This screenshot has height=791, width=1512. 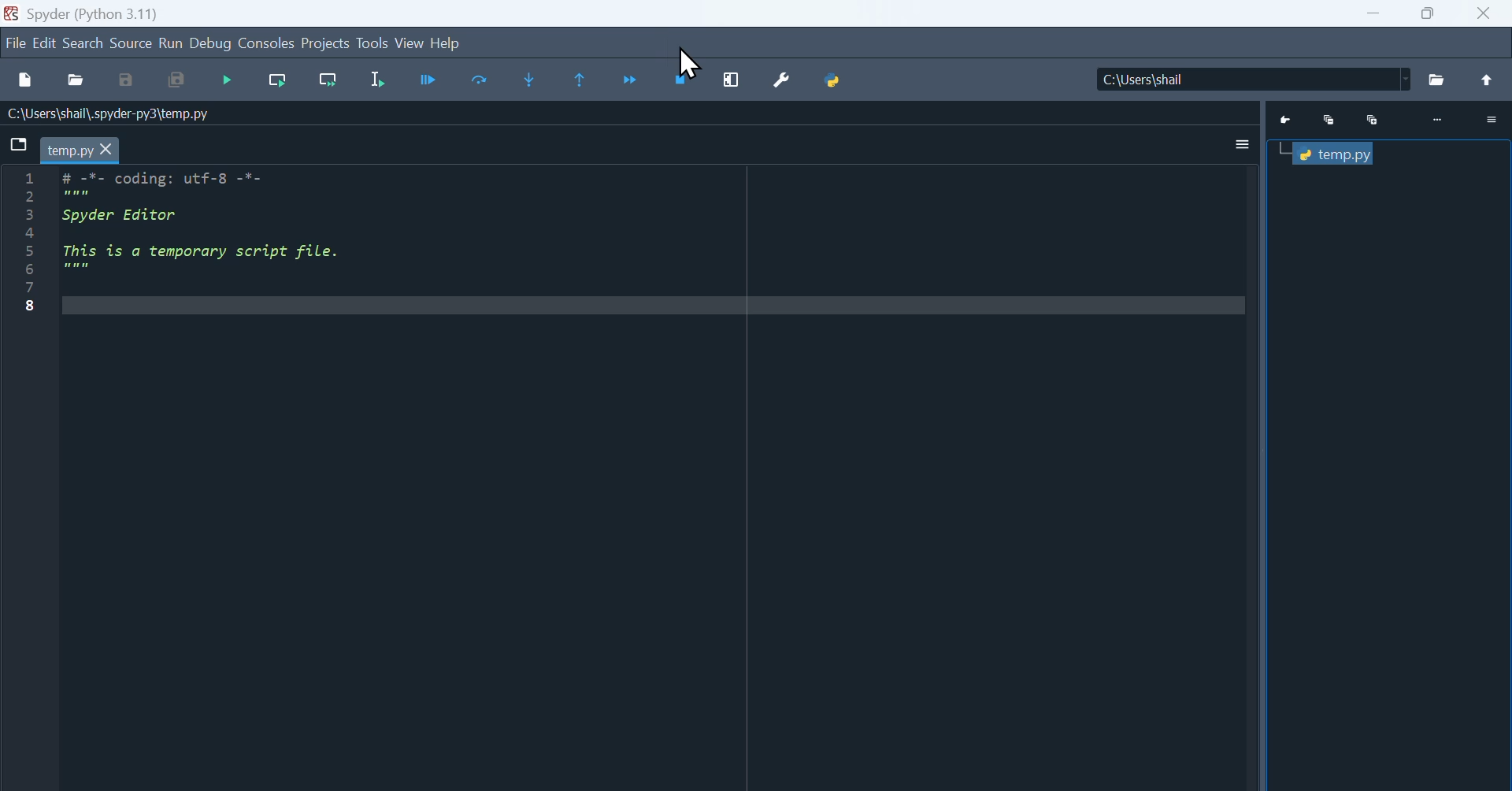 What do you see at coordinates (529, 81) in the screenshot?
I see `Step into function or method` at bounding box center [529, 81].